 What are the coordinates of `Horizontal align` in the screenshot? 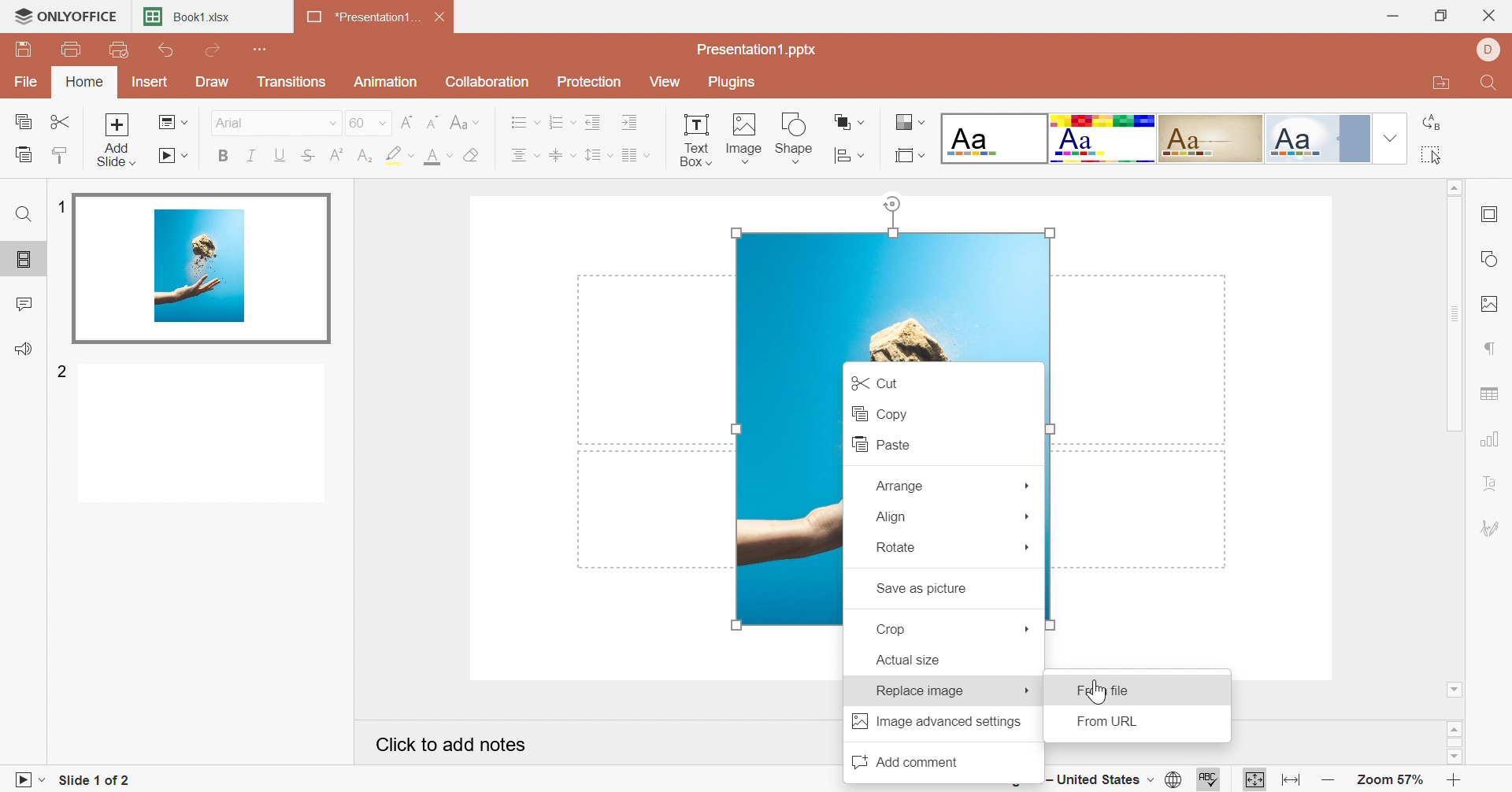 It's located at (525, 154).